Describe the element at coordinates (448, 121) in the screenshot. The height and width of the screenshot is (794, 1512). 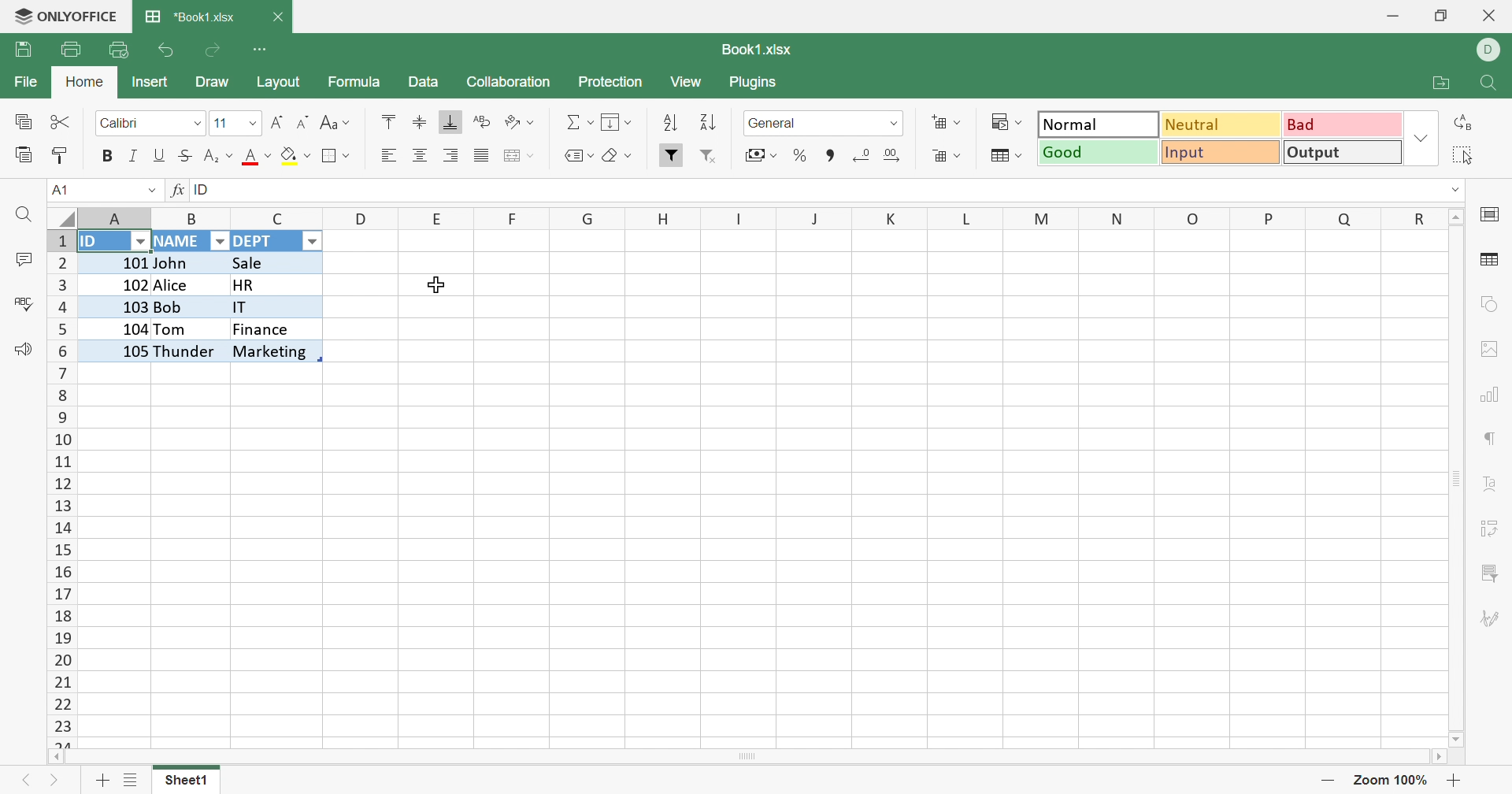
I see `Align Bottom` at that location.